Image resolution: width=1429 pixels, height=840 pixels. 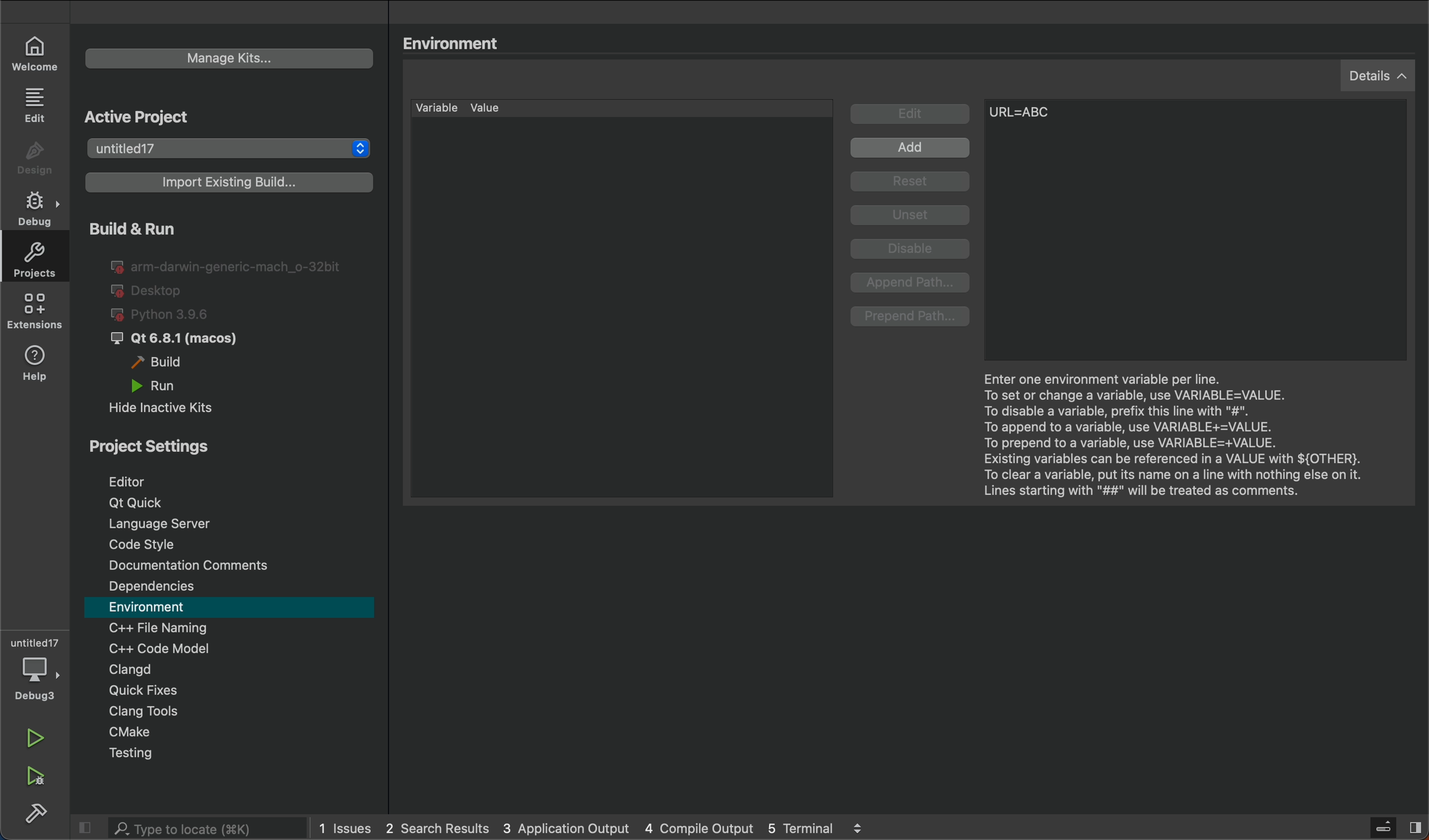 I want to click on python 3.96, so click(x=175, y=315).